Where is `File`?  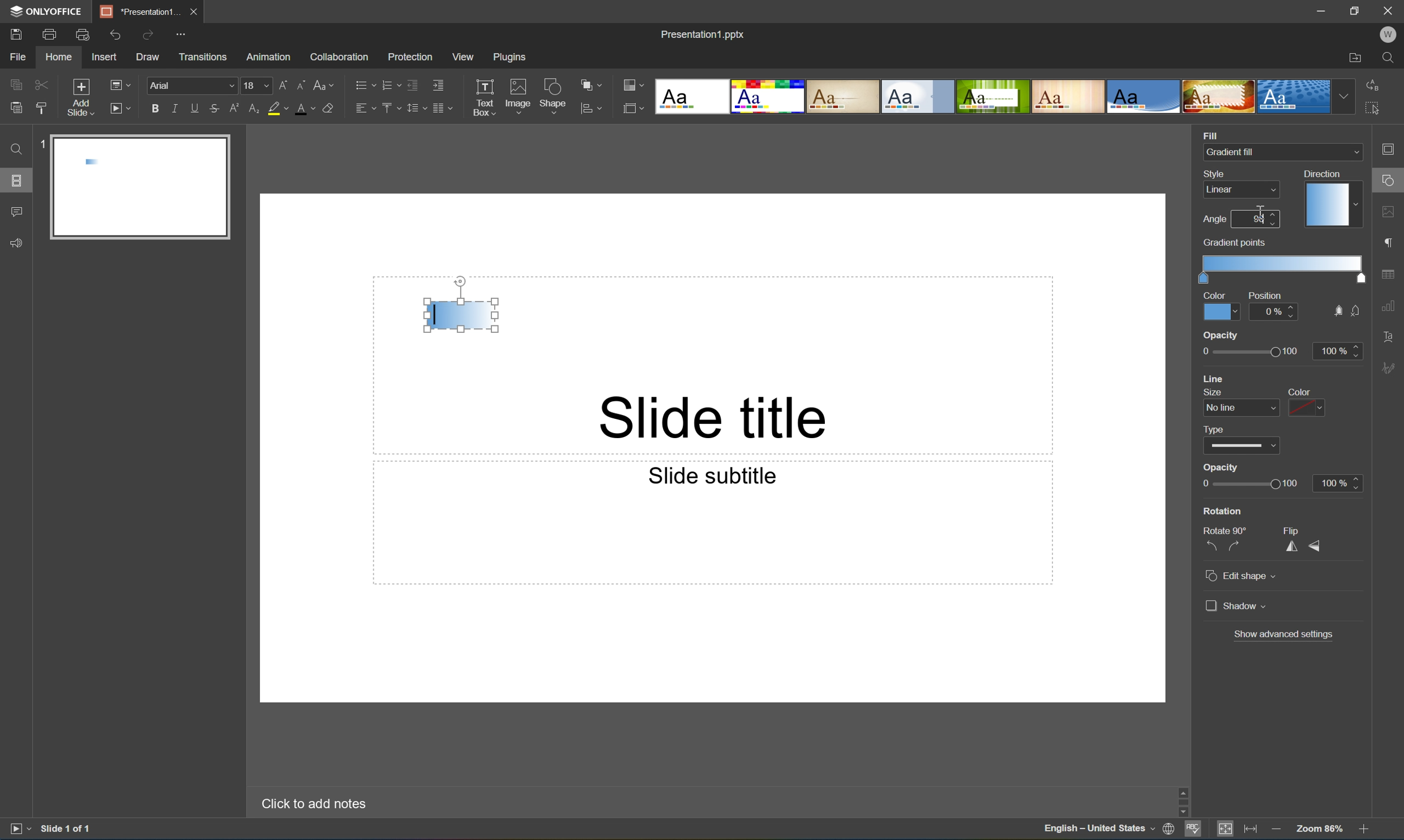 File is located at coordinates (18, 57).